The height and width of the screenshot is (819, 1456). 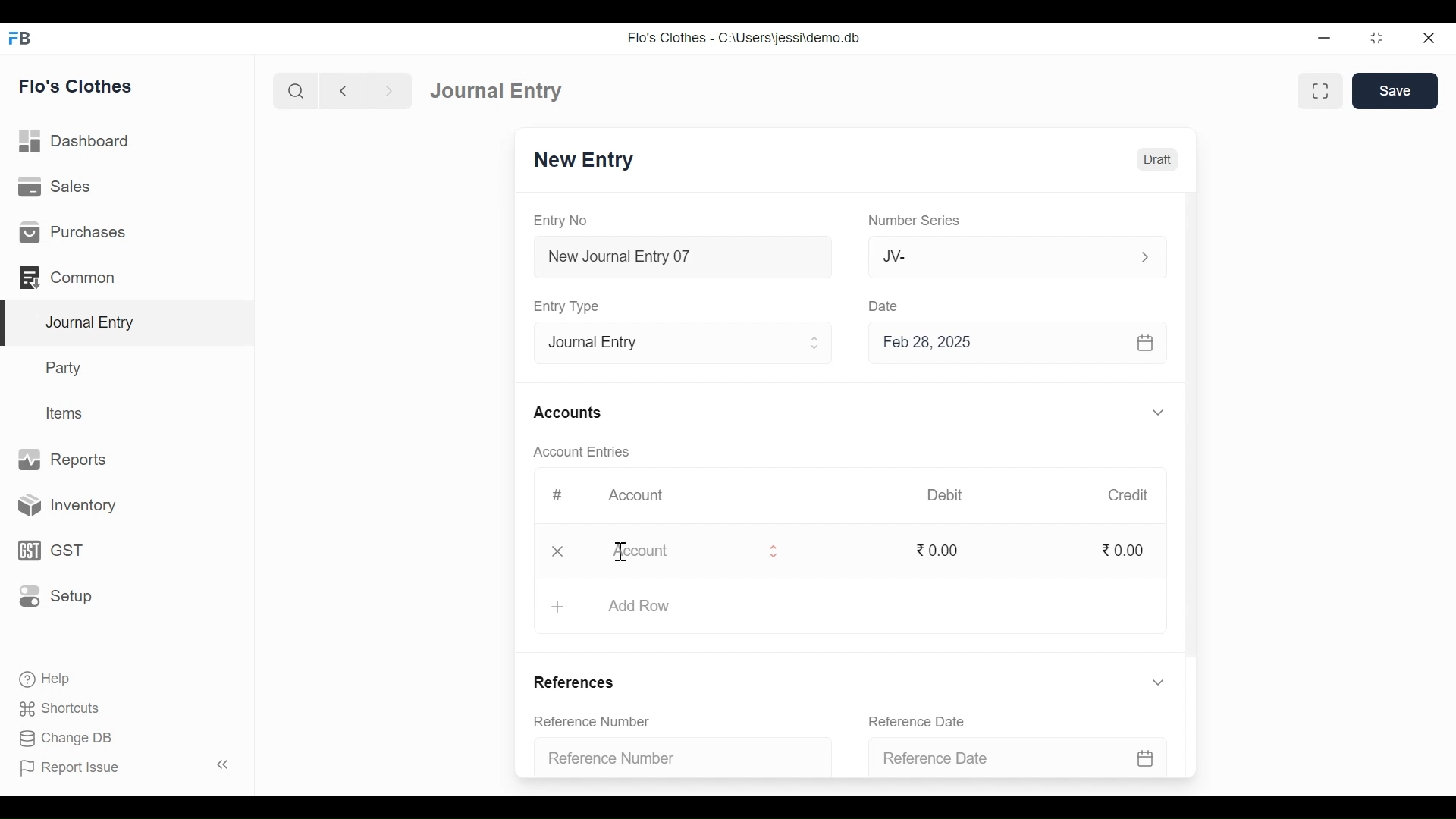 I want to click on Reference Number, so click(x=593, y=720).